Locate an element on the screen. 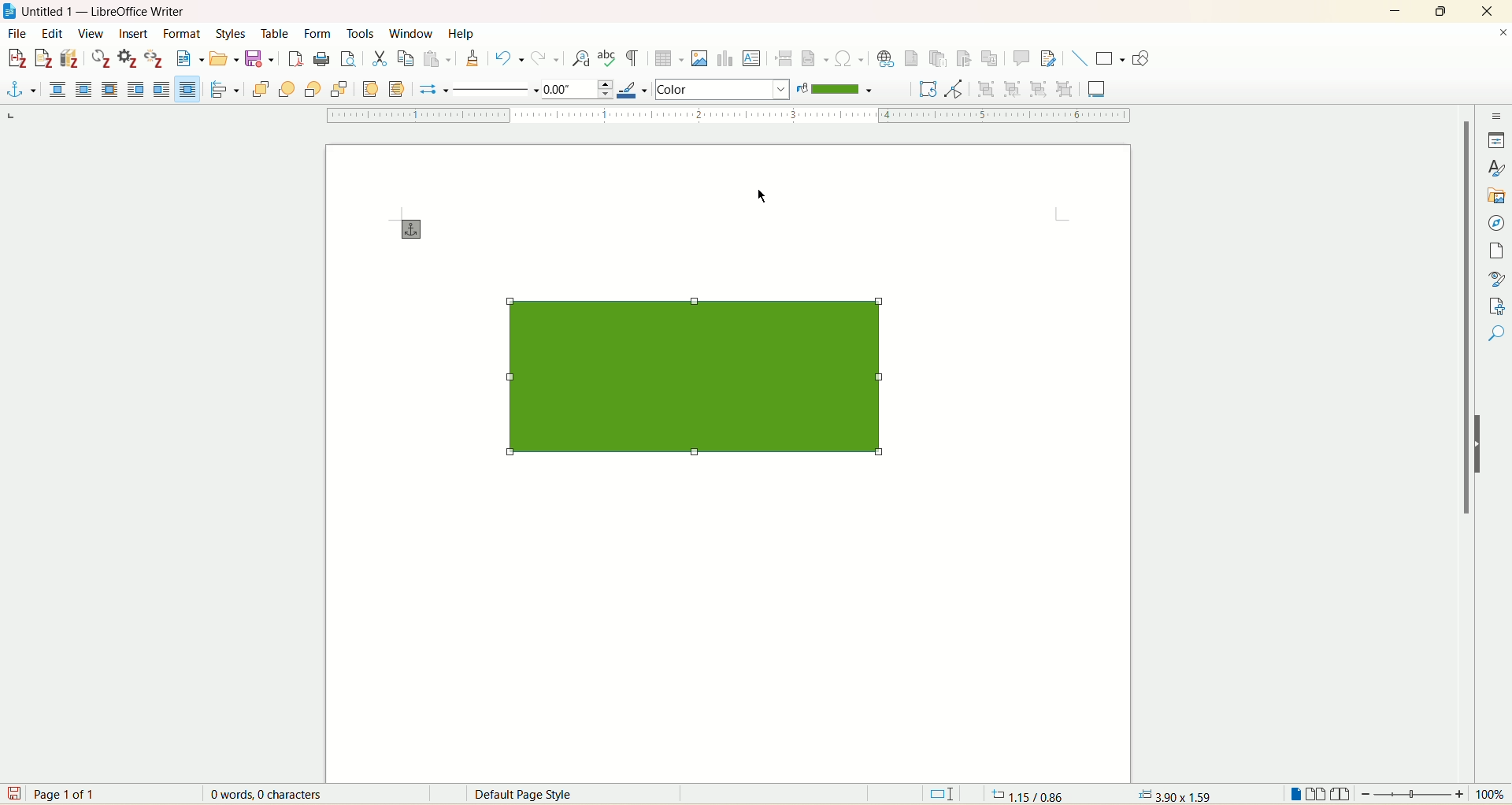 The height and width of the screenshot is (805, 1512). line pattern is located at coordinates (493, 91).